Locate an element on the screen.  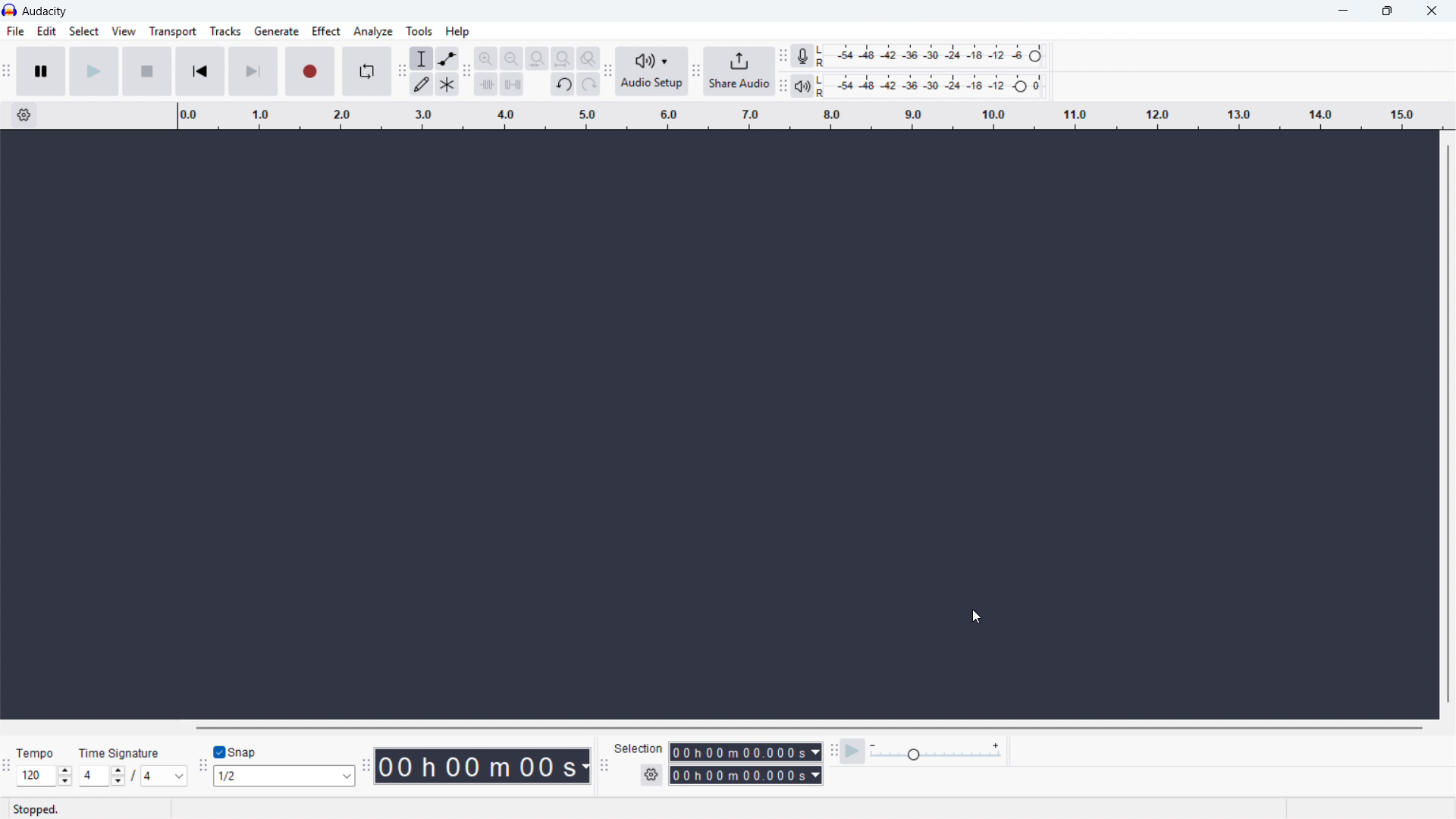
silence audio selection is located at coordinates (512, 84).